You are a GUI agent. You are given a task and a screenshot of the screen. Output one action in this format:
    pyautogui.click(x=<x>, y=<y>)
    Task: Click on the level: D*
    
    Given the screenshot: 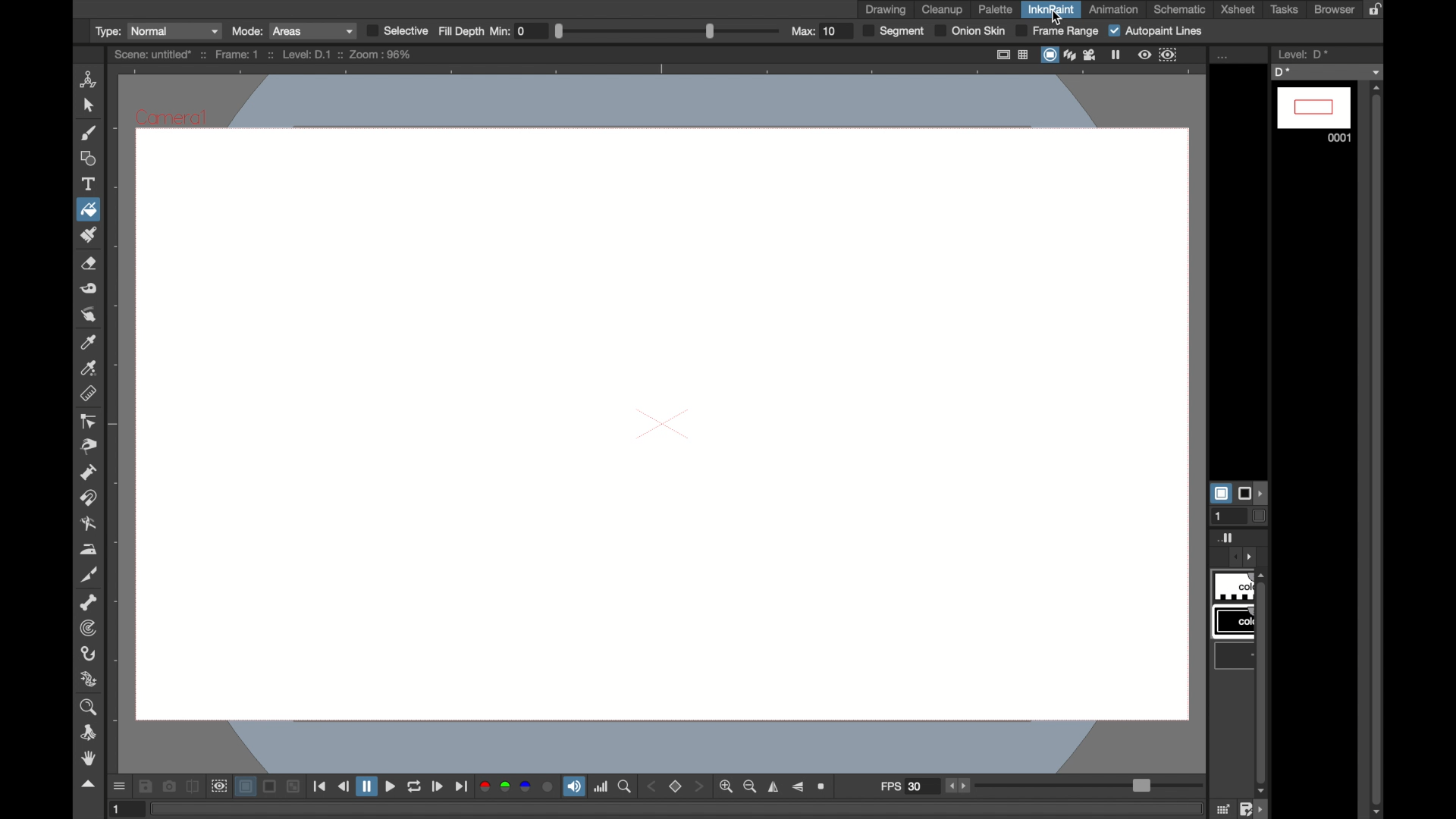 What is the action you would take?
    pyautogui.click(x=1302, y=54)
    